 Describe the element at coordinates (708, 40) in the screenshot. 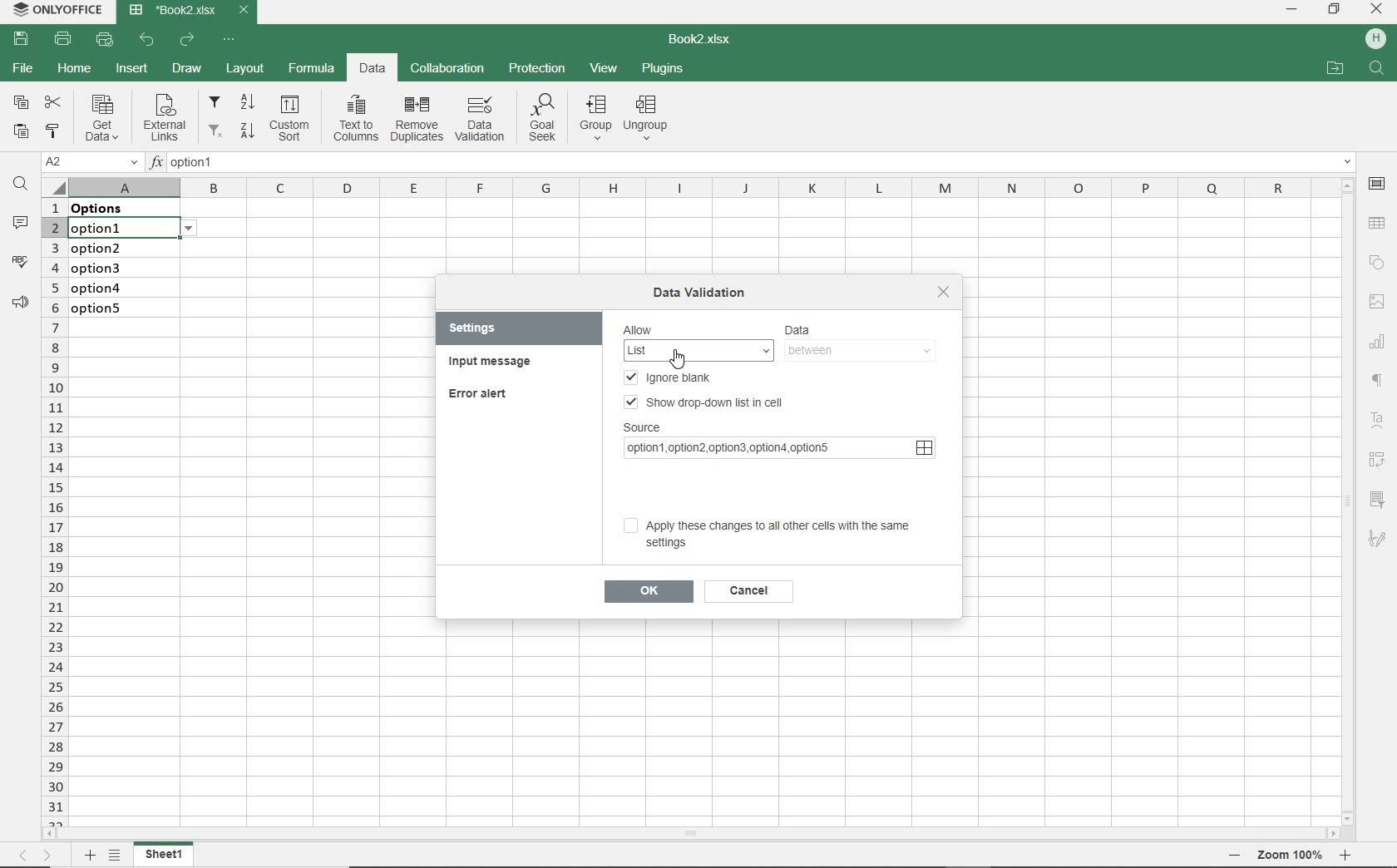

I see `DOCUMENT NAME` at that location.